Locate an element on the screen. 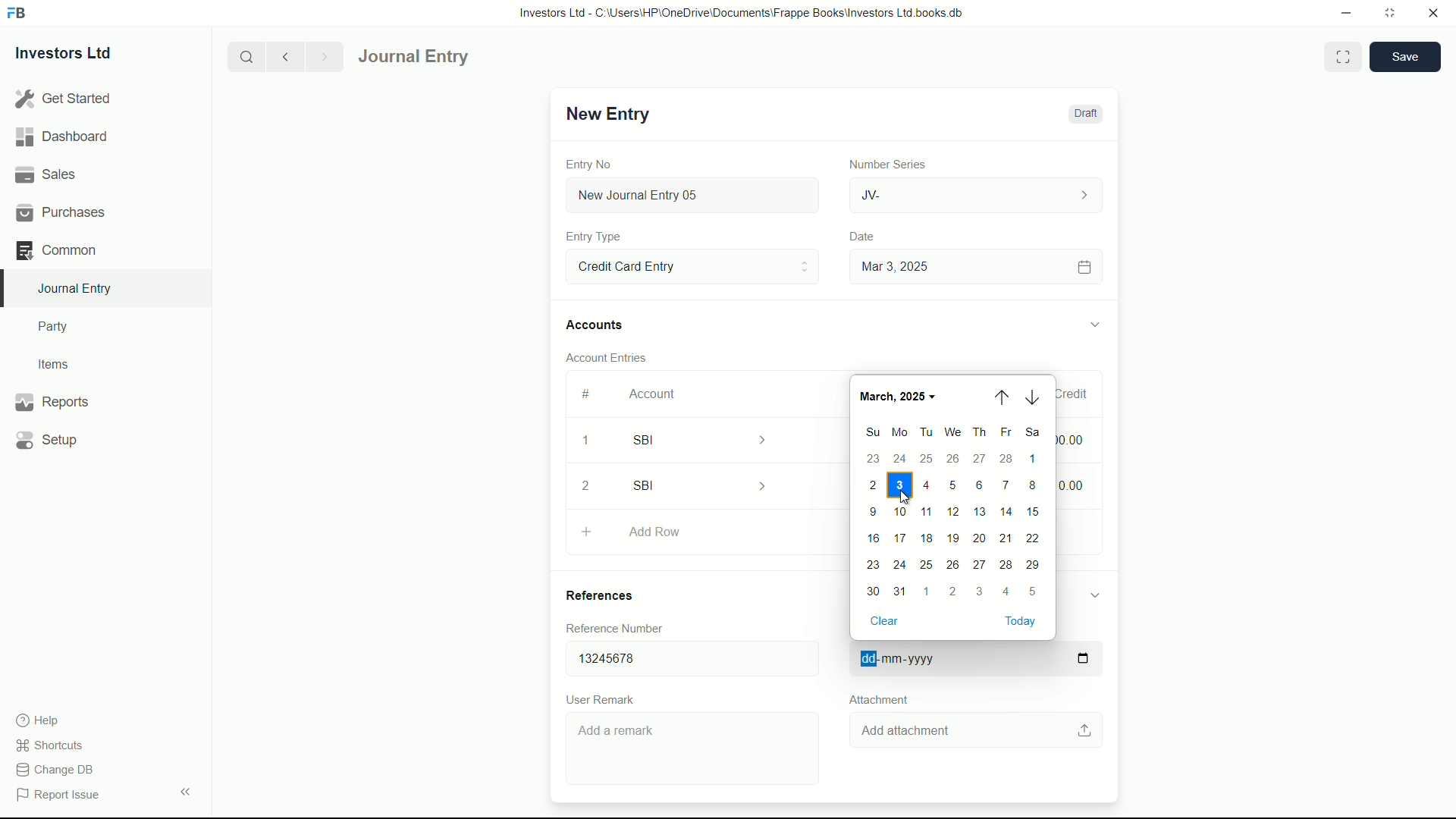 This screenshot has width=1456, height=819. SBI is located at coordinates (704, 485).